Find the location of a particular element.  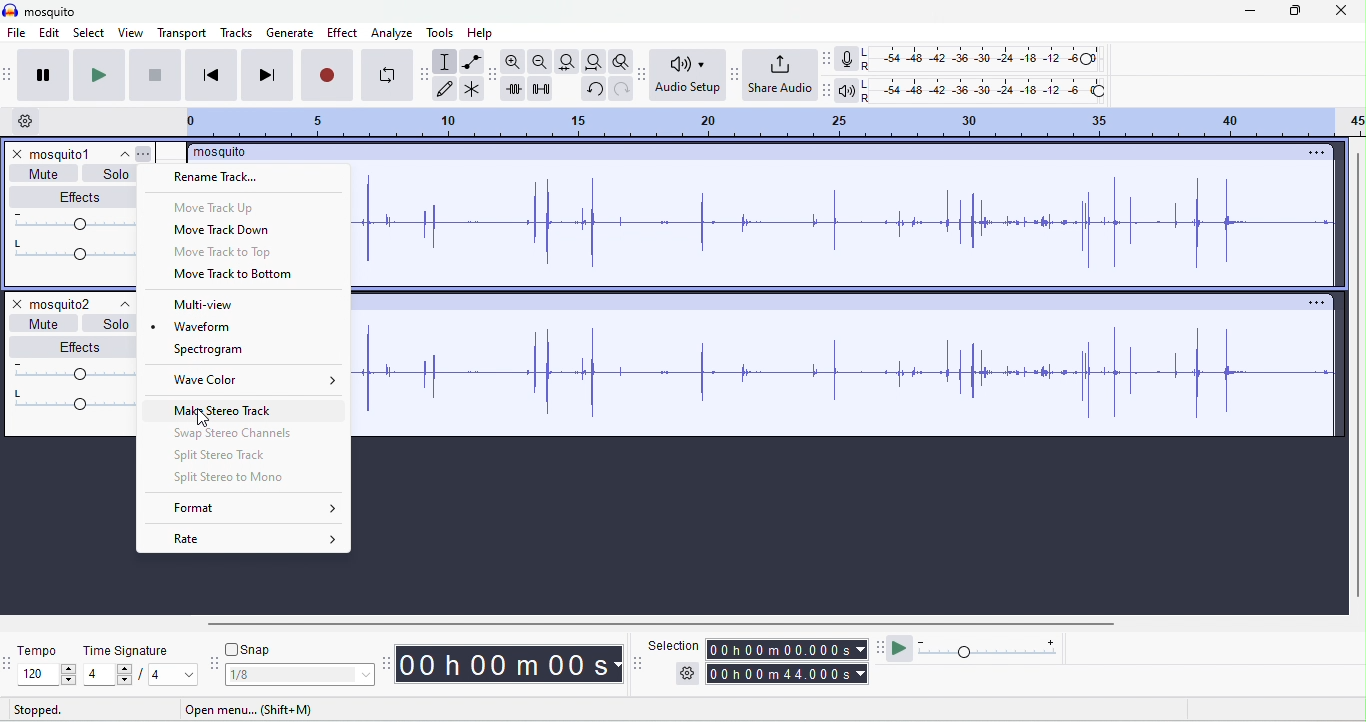

tempo is located at coordinates (39, 653).